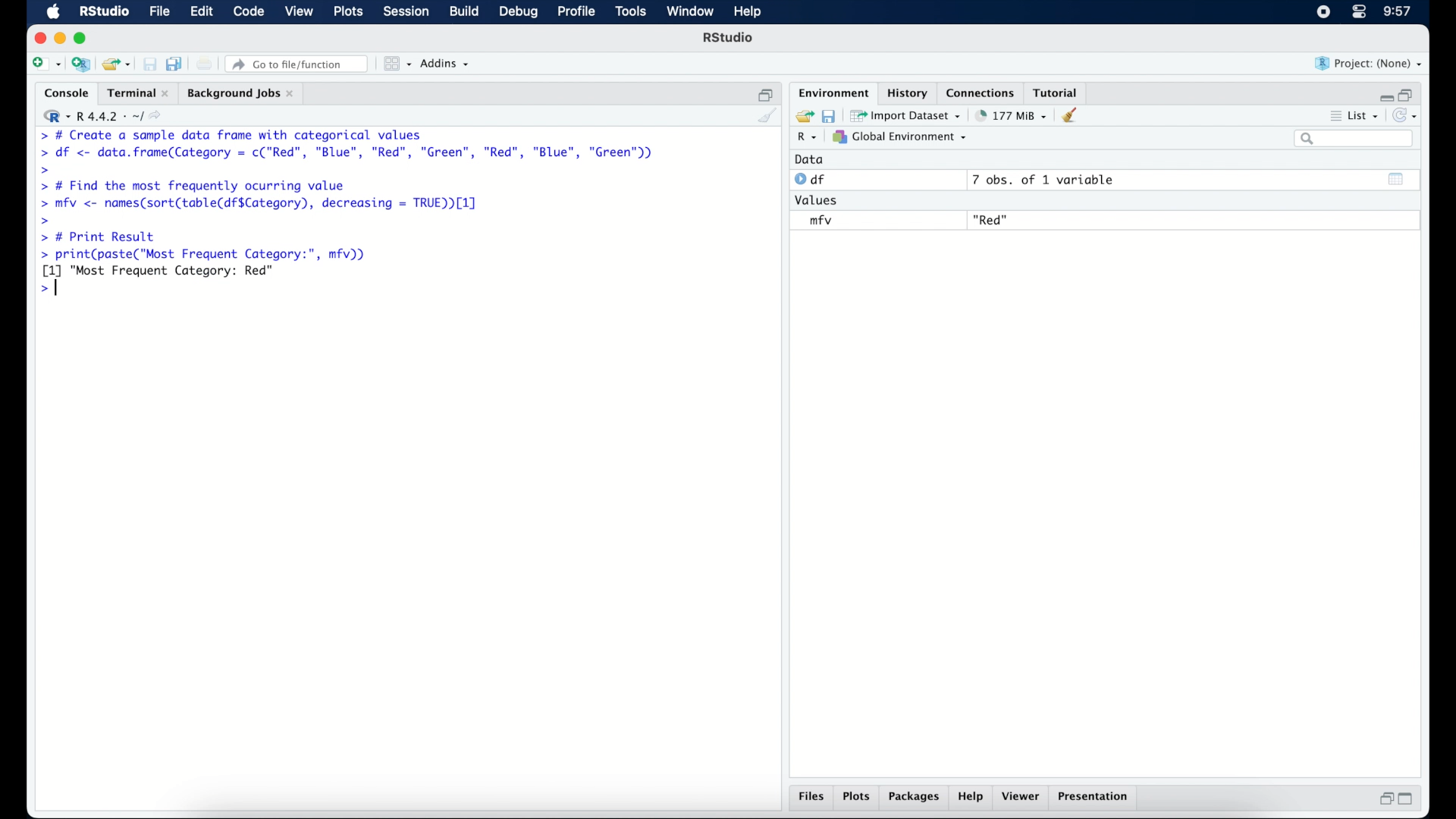  What do you see at coordinates (99, 235) in the screenshot?
I see `> # Print Result` at bounding box center [99, 235].